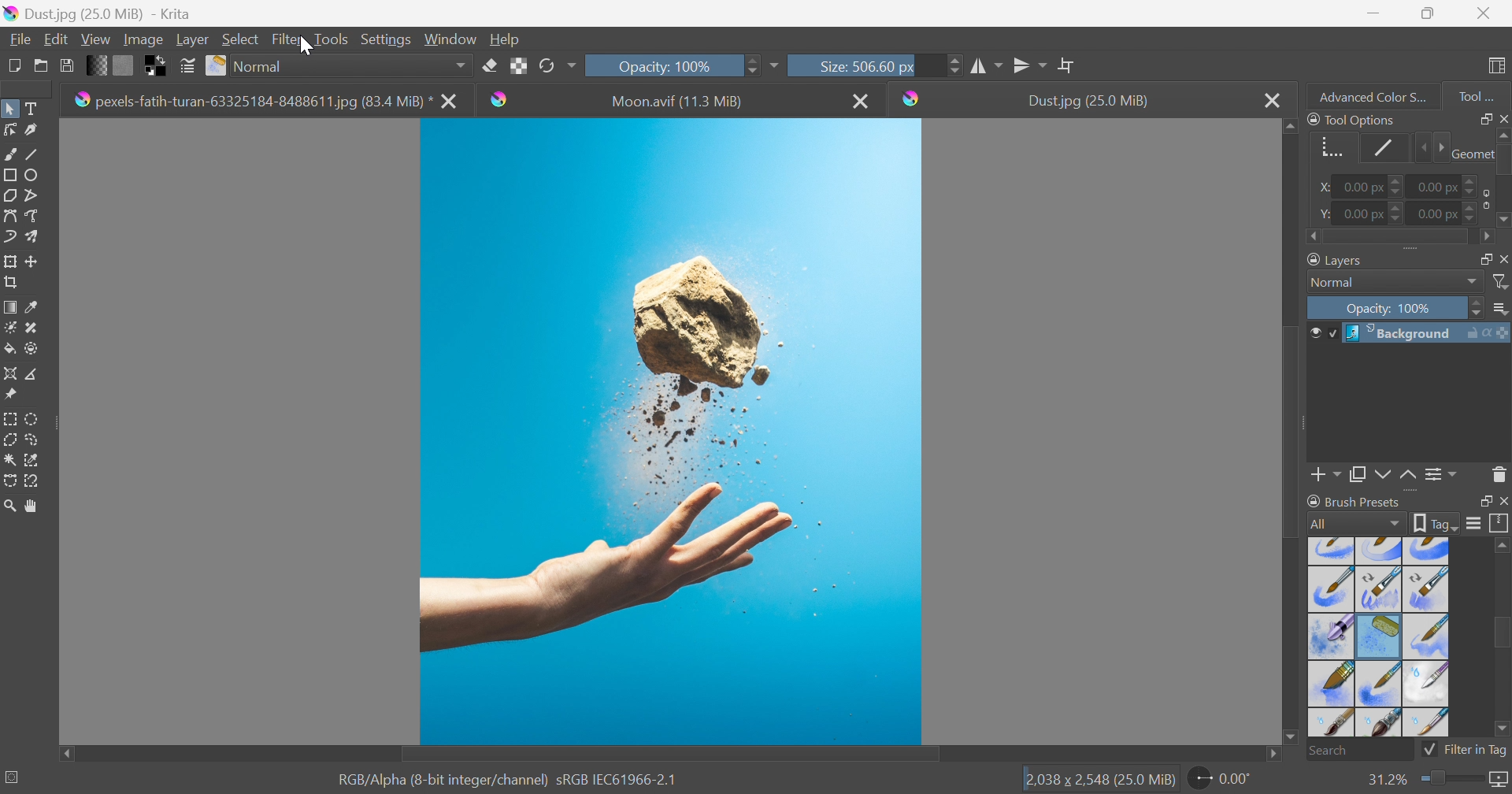  Describe the element at coordinates (305, 48) in the screenshot. I see `cursor` at that location.